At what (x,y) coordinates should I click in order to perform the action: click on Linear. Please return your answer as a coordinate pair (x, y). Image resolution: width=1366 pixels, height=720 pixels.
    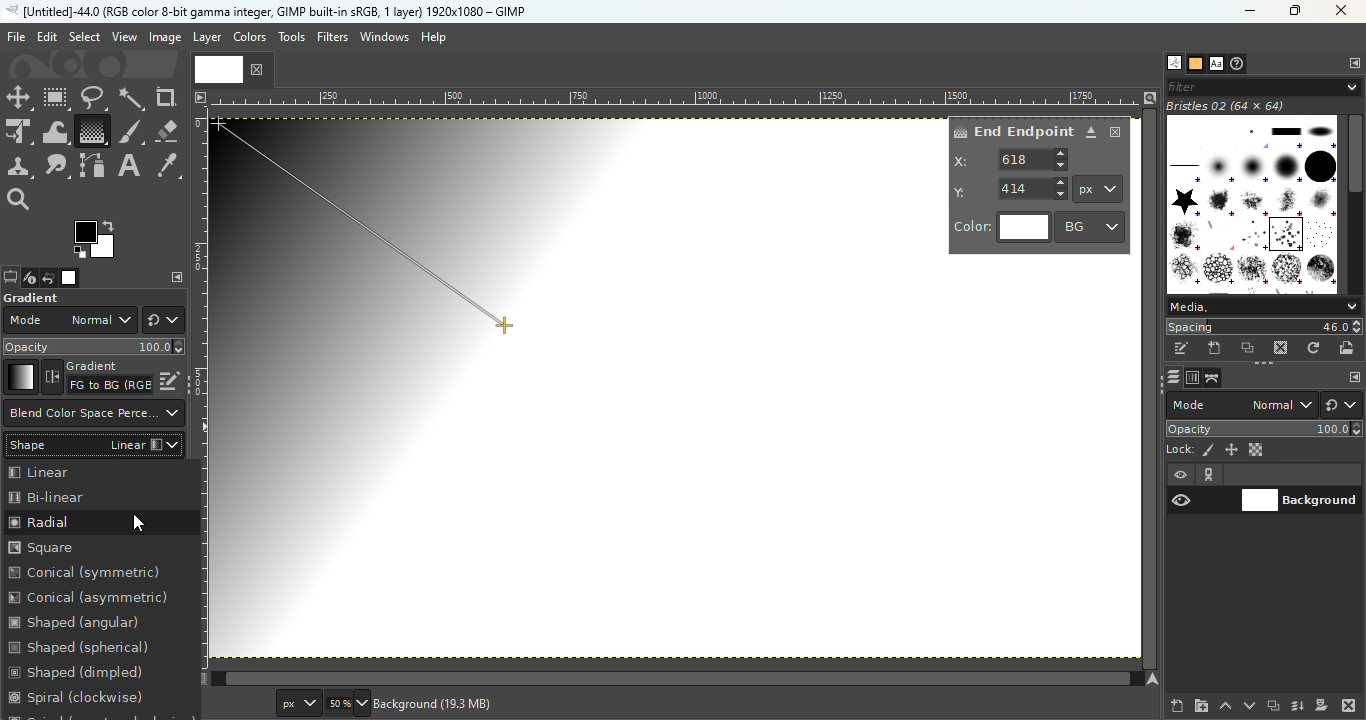
    Looking at the image, I should click on (80, 471).